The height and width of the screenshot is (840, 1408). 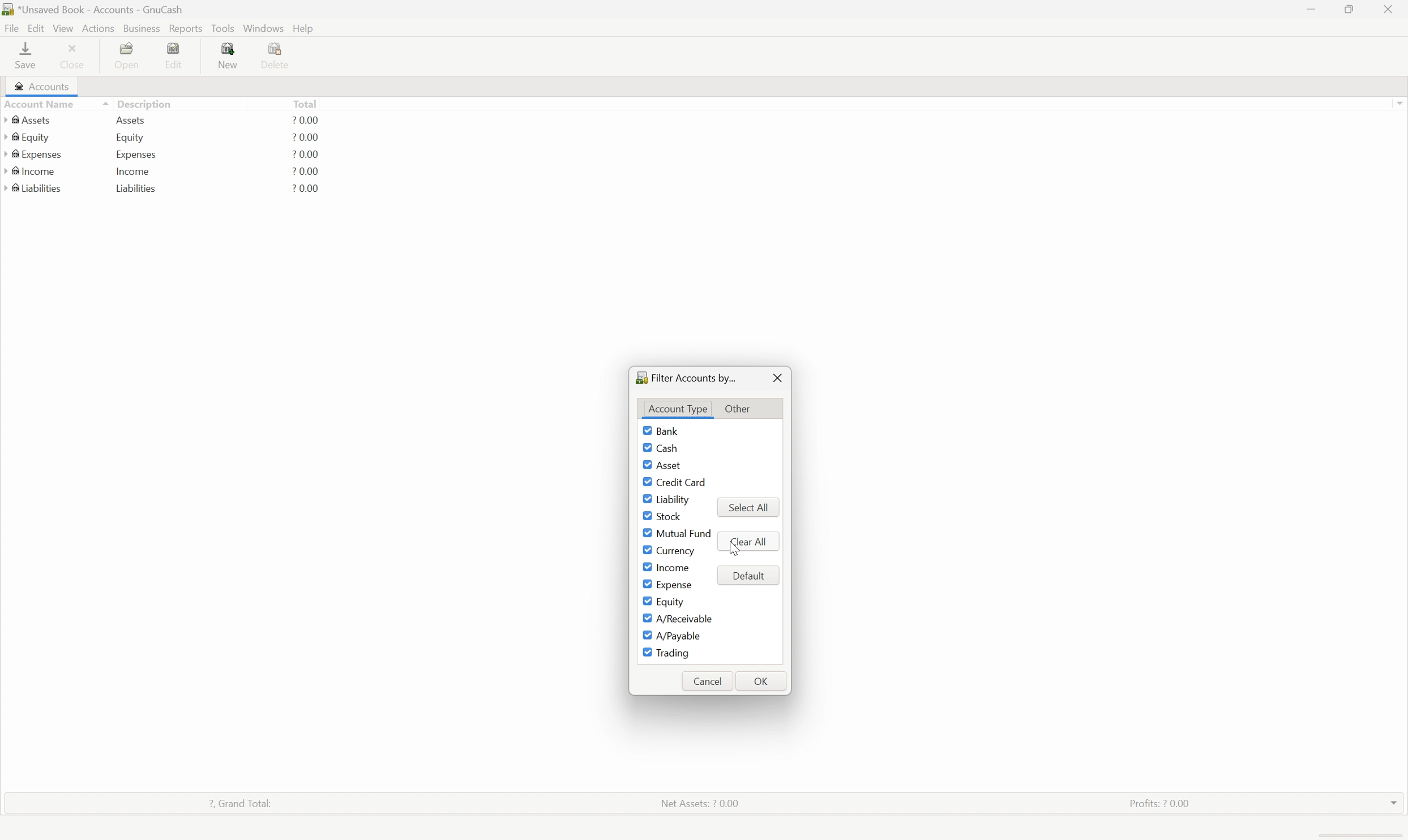 What do you see at coordinates (687, 483) in the screenshot?
I see `Credit Card` at bounding box center [687, 483].